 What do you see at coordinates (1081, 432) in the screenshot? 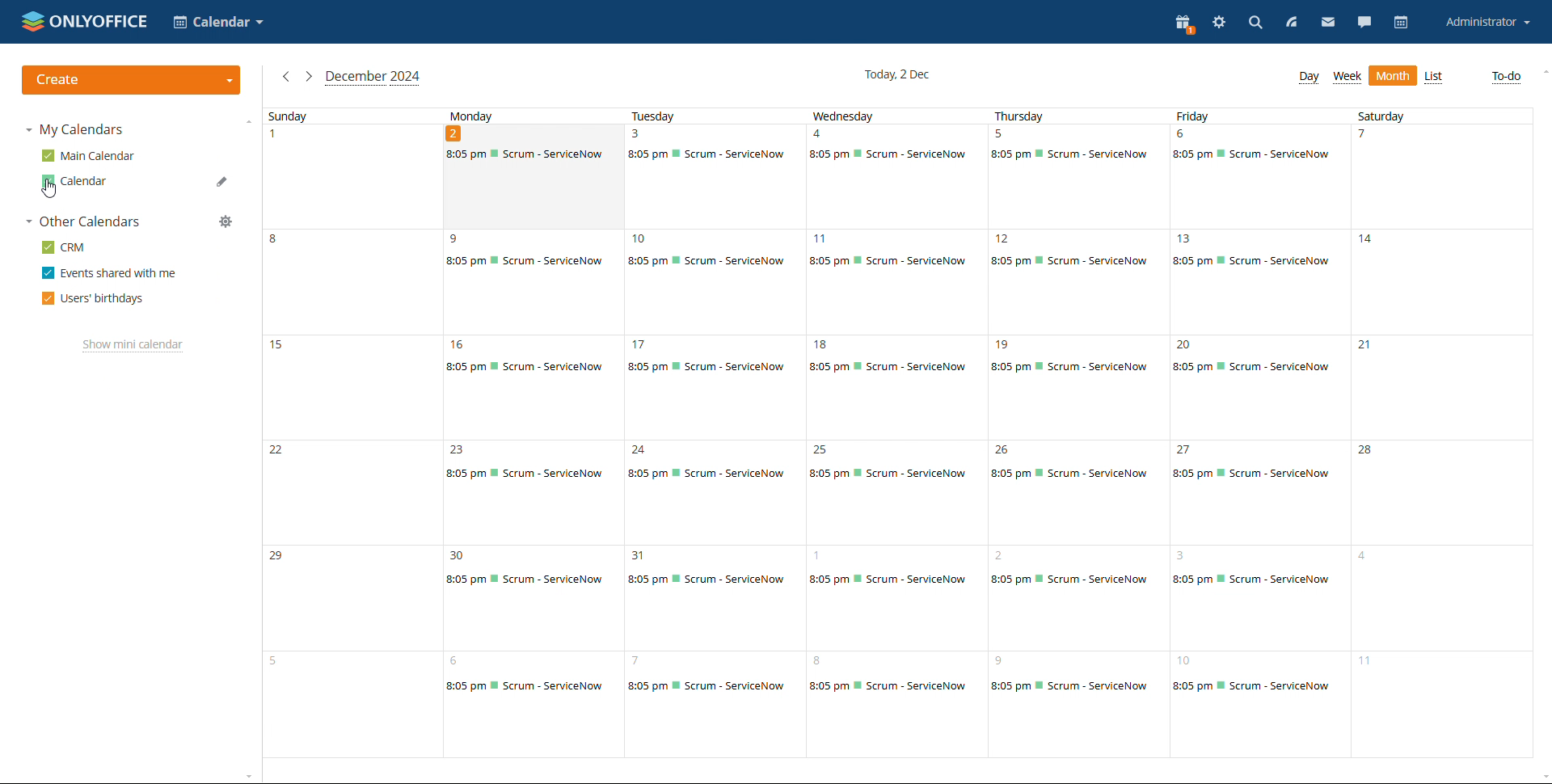
I see `thursday` at bounding box center [1081, 432].